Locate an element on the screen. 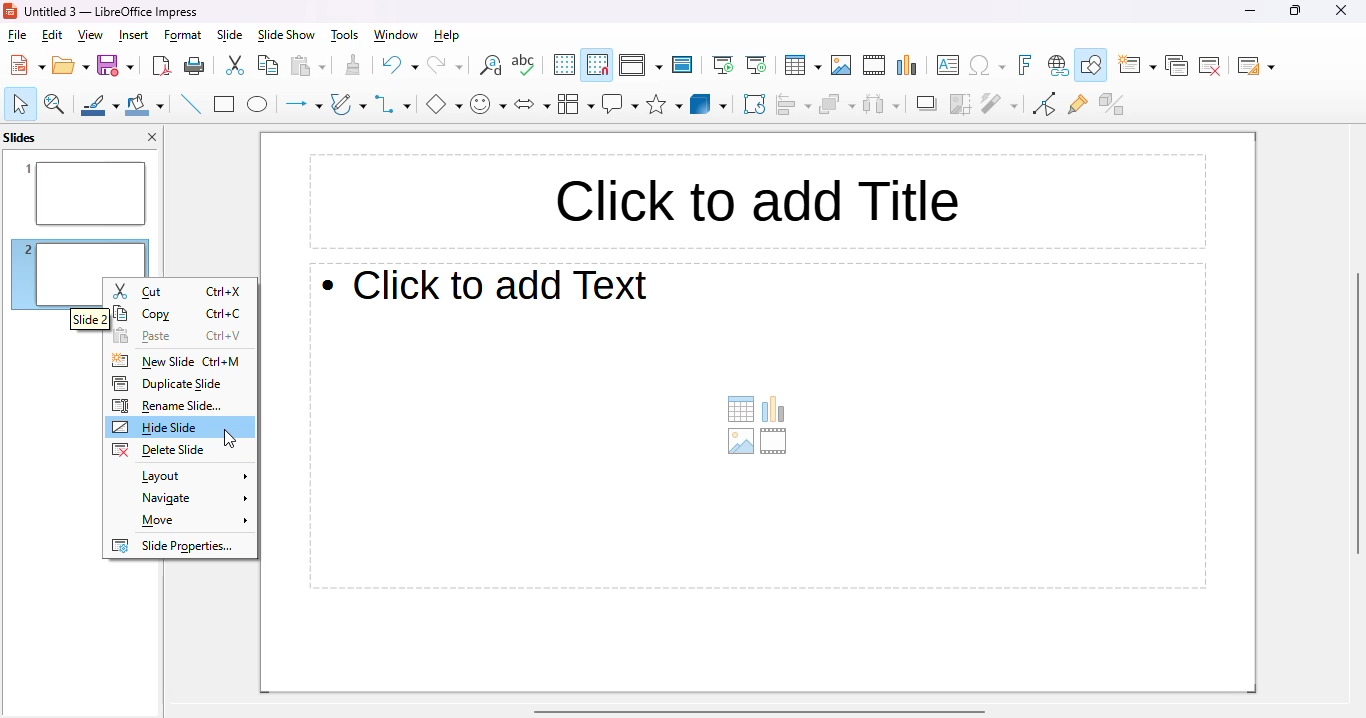  clone formatting is located at coordinates (353, 65).